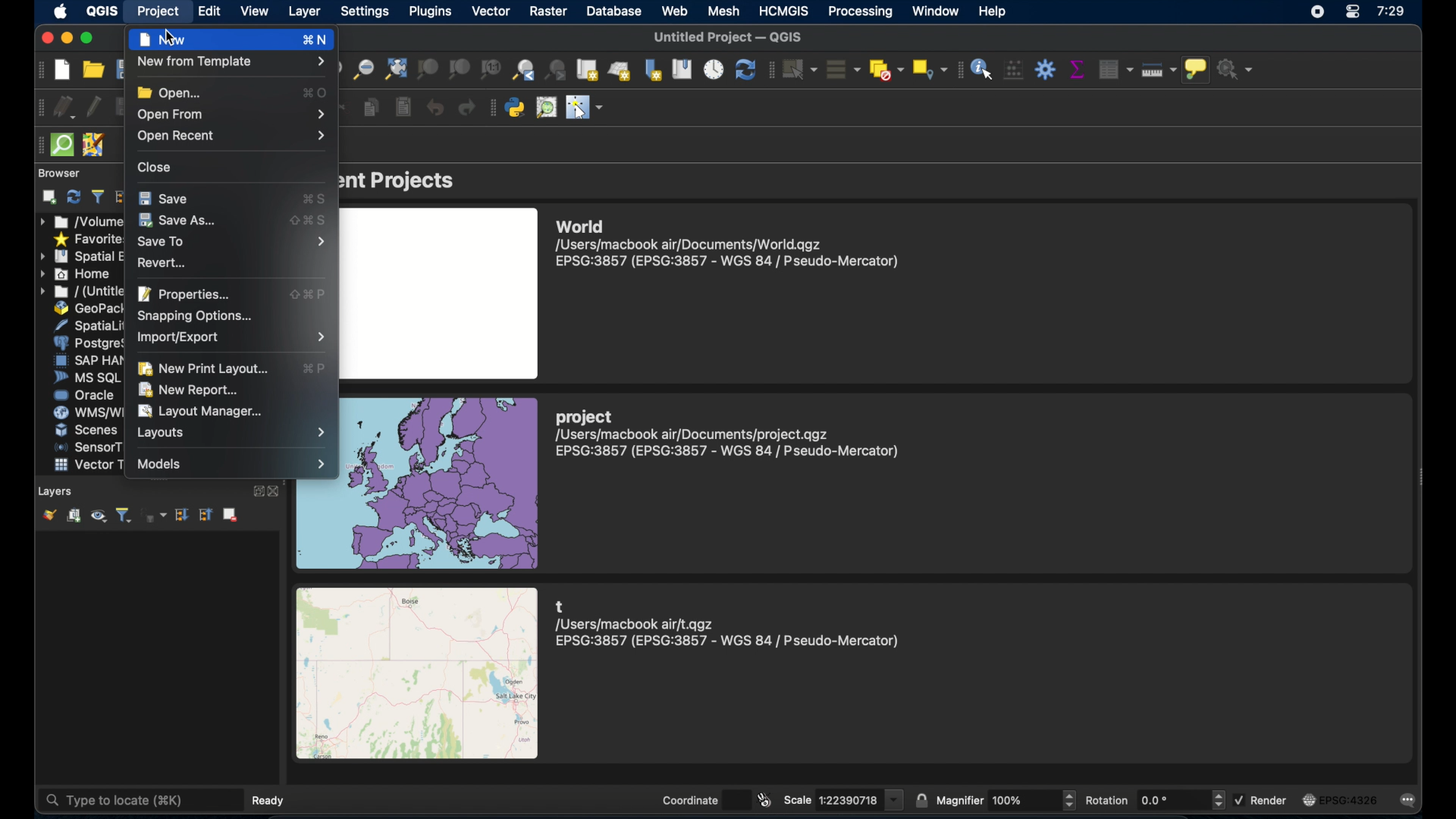 This screenshot has width=1456, height=819. Describe the element at coordinates (694, 435) in the screenshot. I see `/Users/macbook air/Documents/project.qgz` at that location.